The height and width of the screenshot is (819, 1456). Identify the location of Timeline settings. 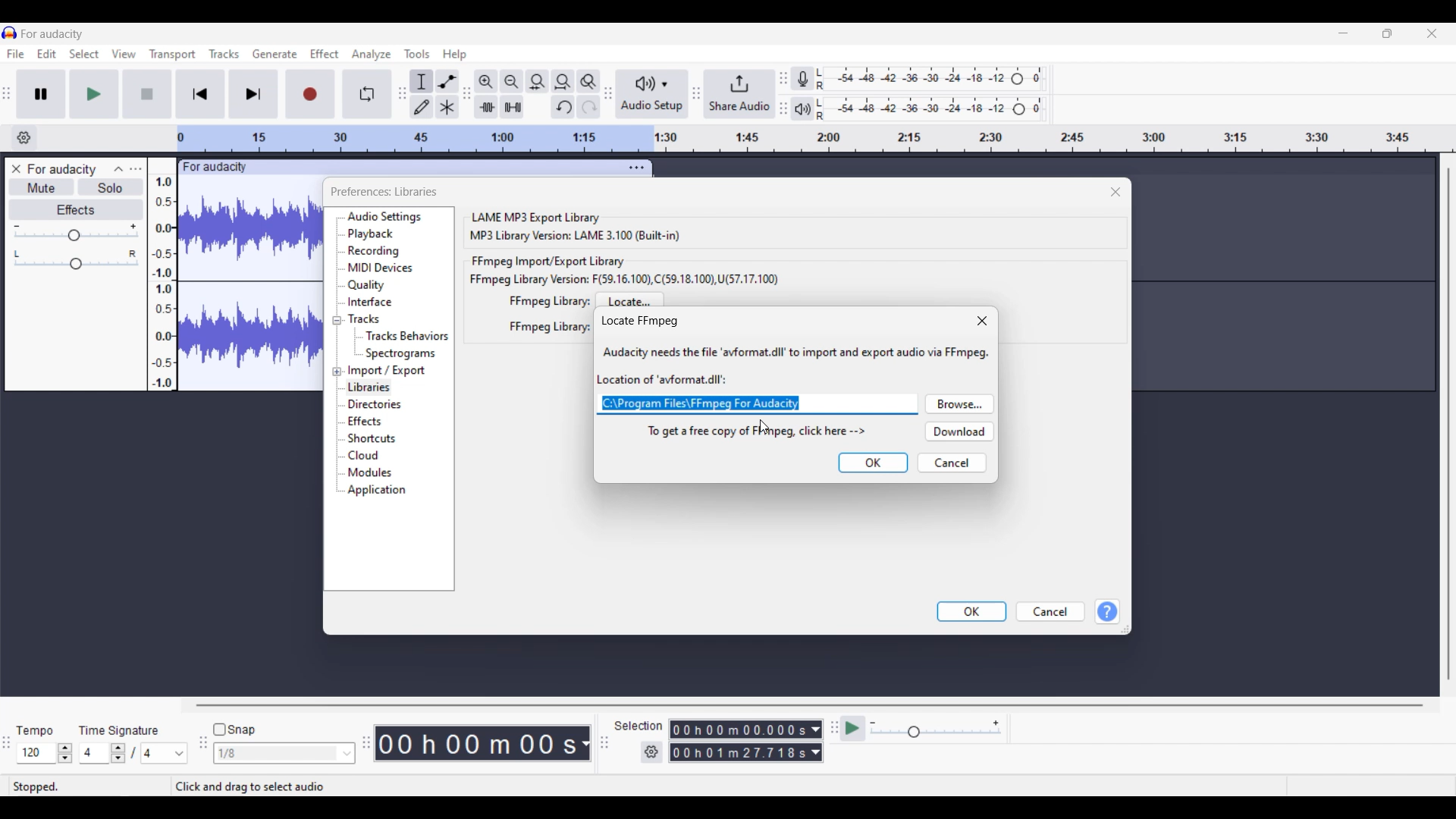
(24, 138).